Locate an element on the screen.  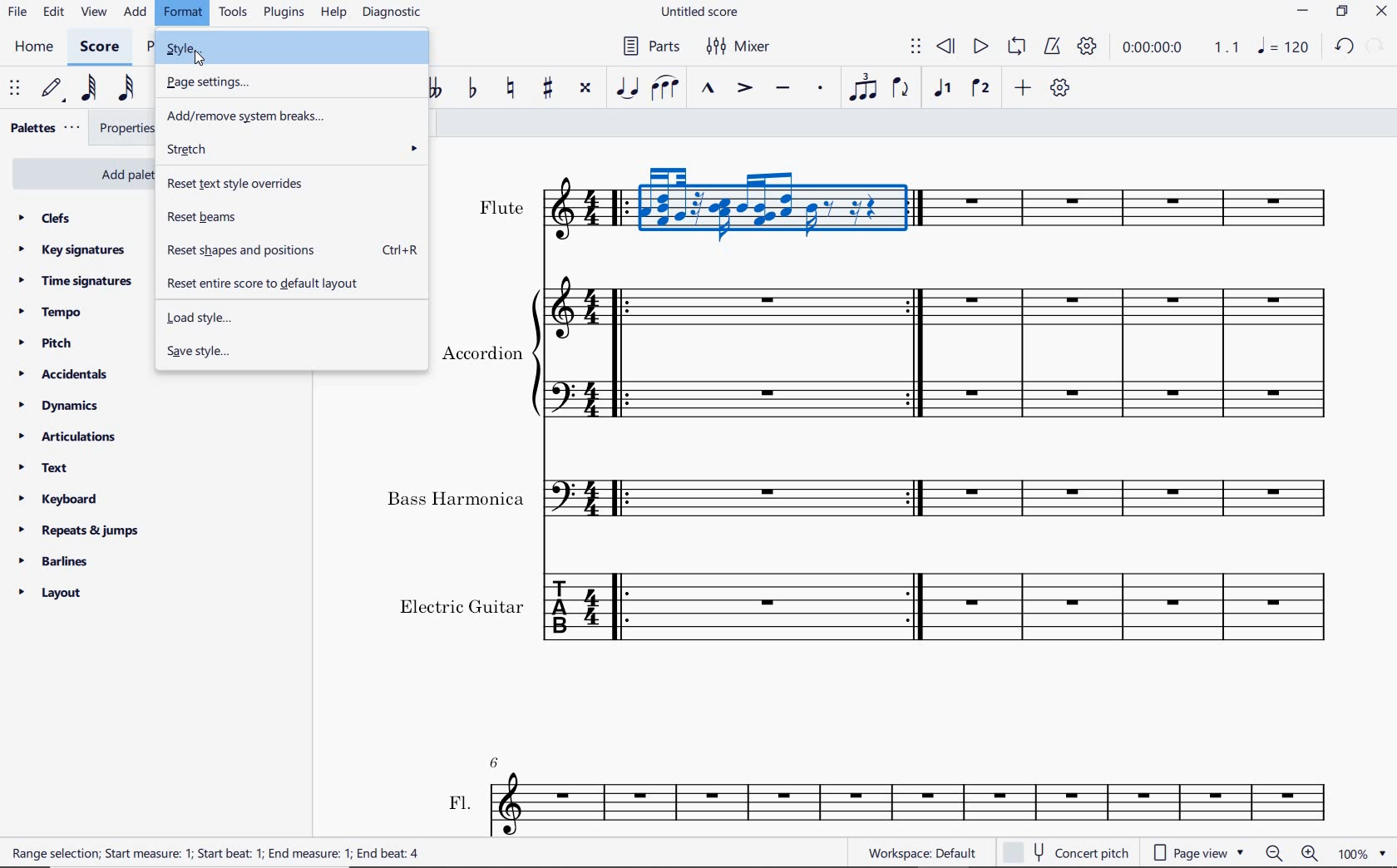
select to move is located at coordinates (13, 89).